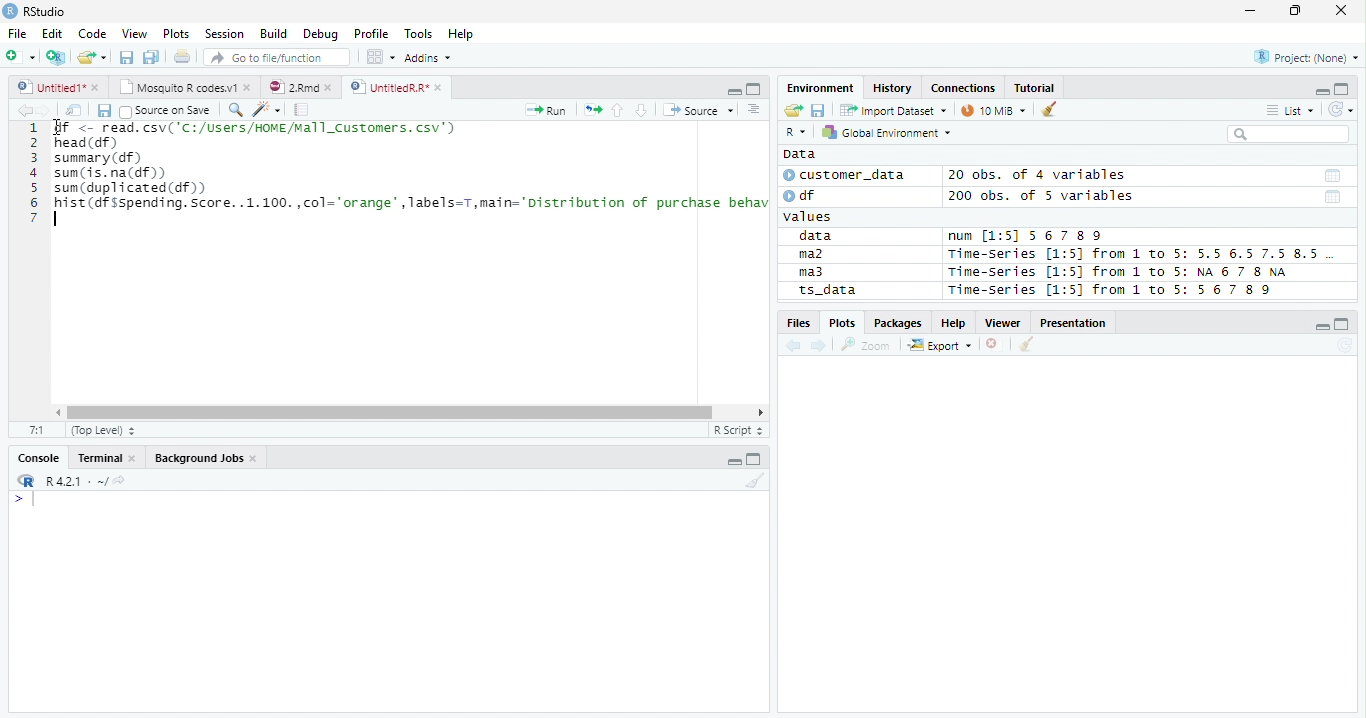  Describe the element at coordinates (234, 109) in the screenshot. I see `Find/Replace` at that location.